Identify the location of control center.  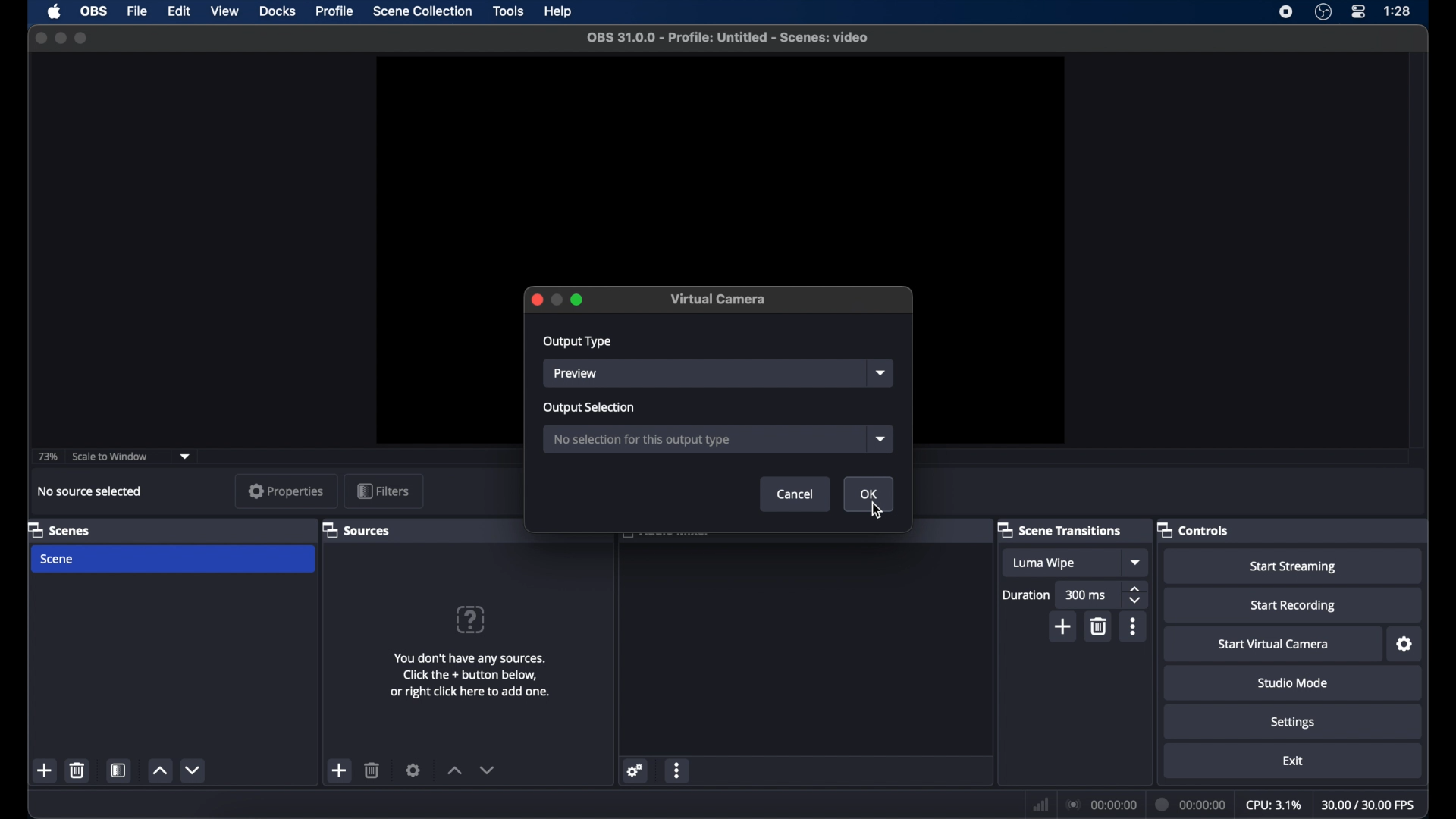
(1359, 12).